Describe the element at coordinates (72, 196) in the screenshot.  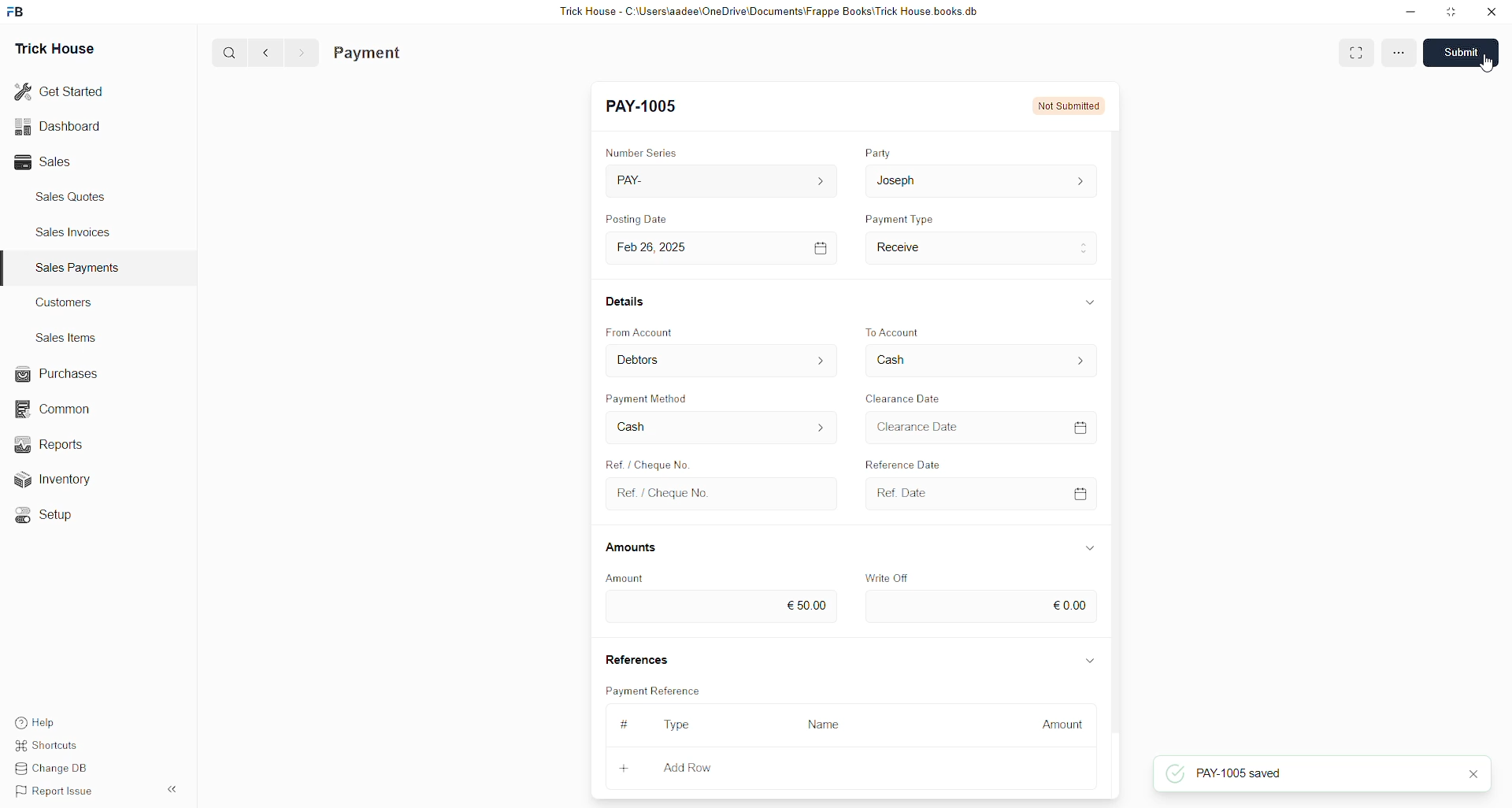
I see `Sales Quotes.` at that location.